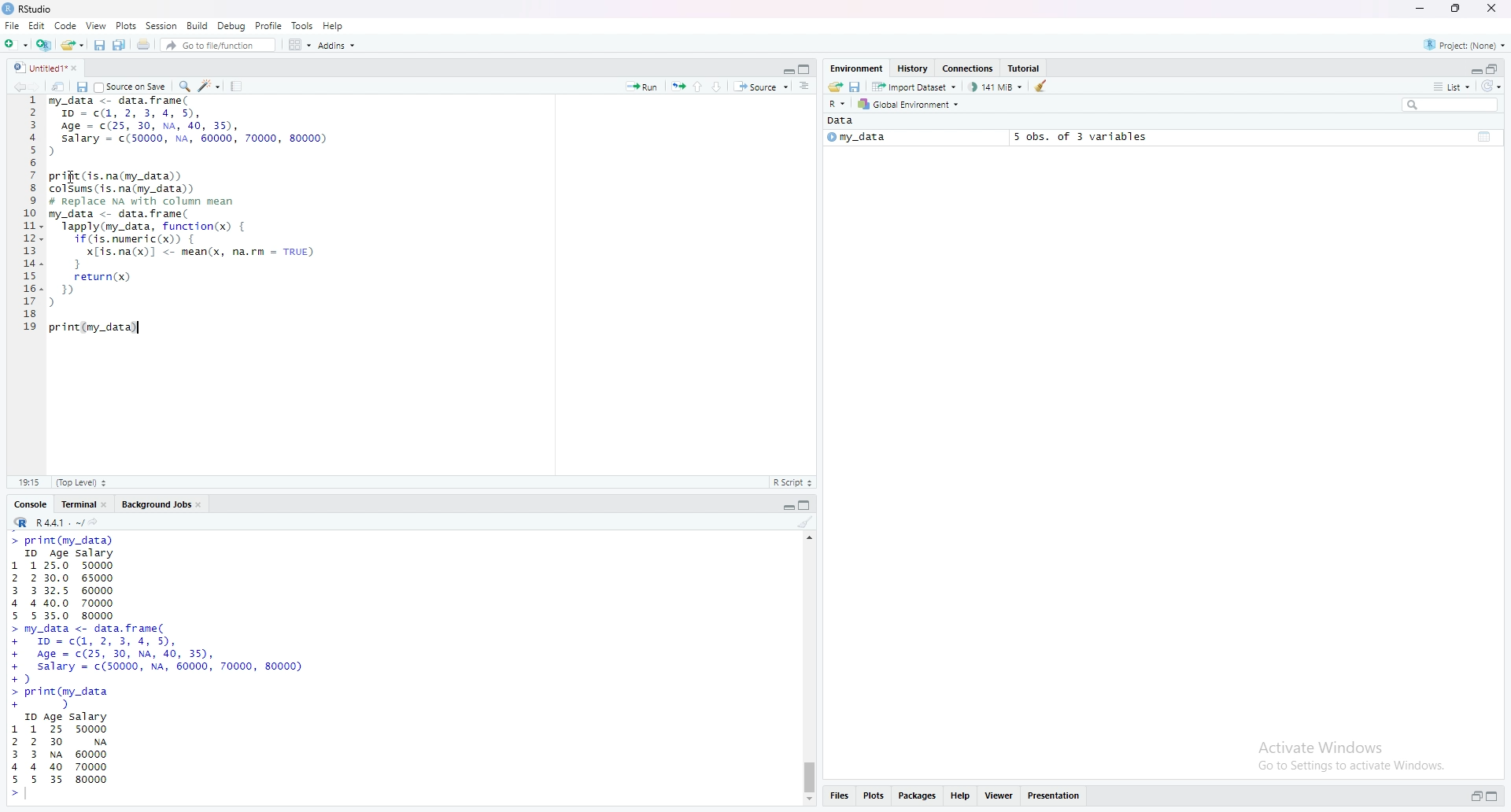 This screenshot has height=812, width=1511. I want to click on untitled1, so click(45, 67).